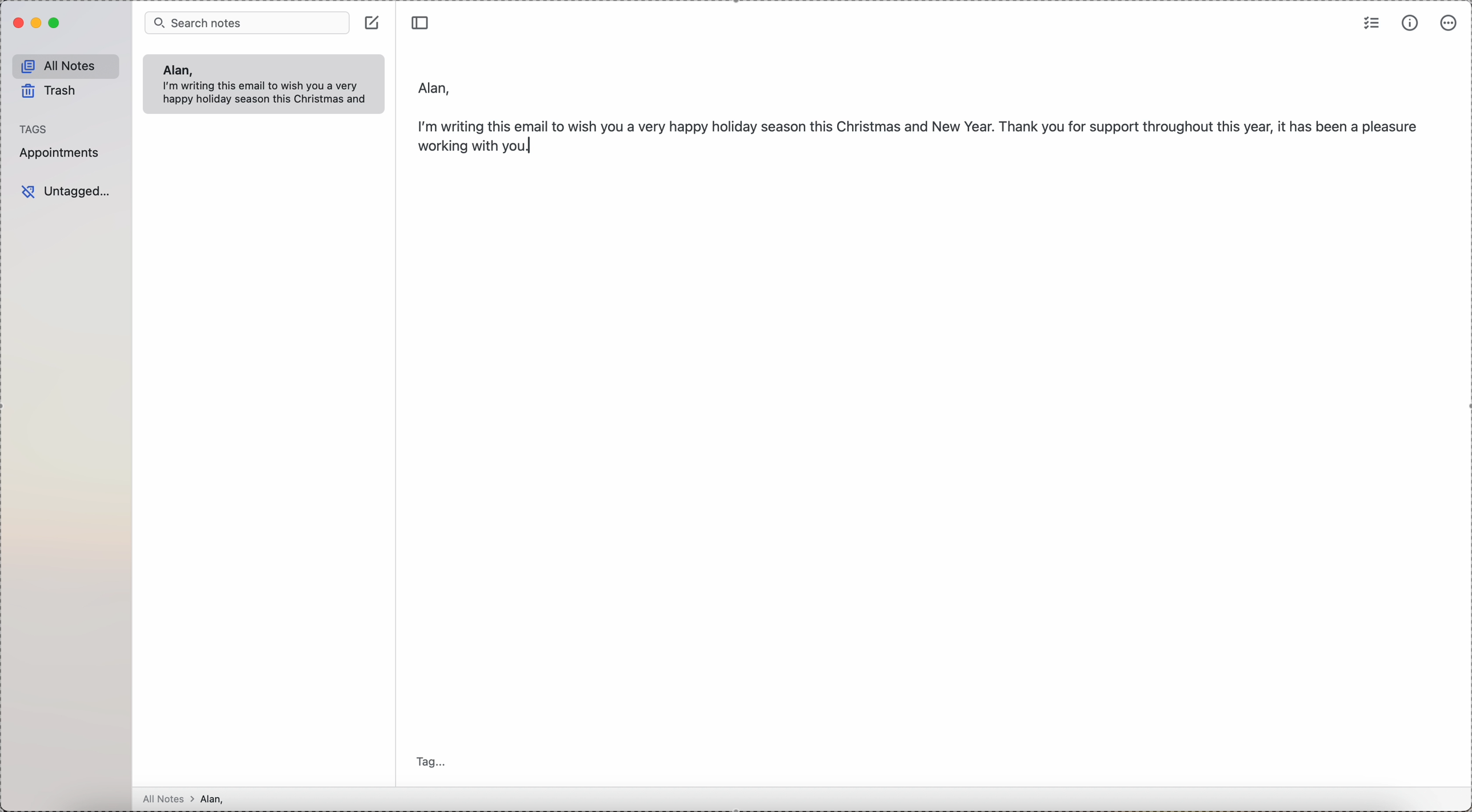  What do you see at coordinates (66, 192) in the screenshot?
I see `untagged` at bounding box center [66, 192].